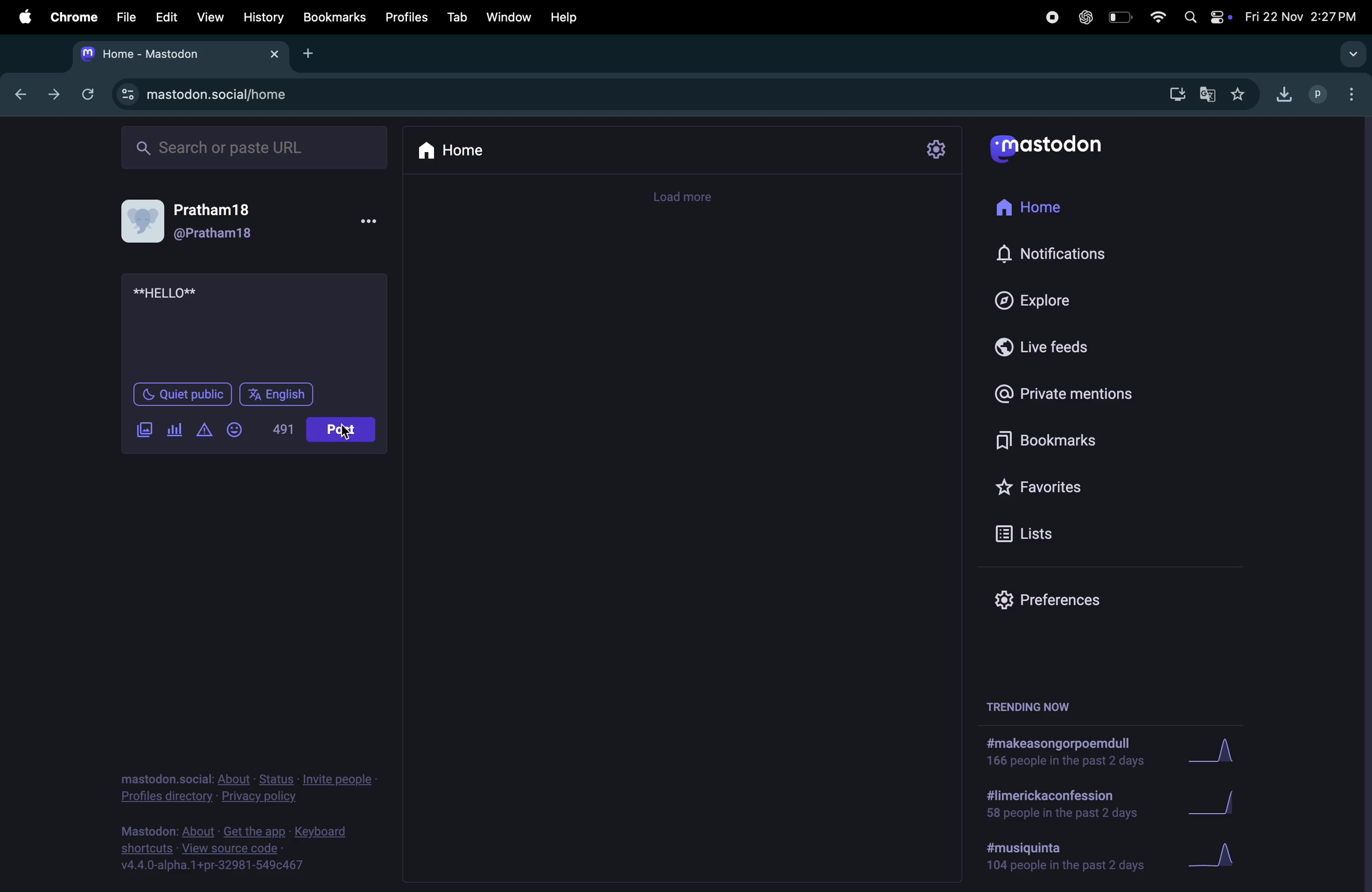 The image size is (1372, 892). Describe the element at coordinates (372, 223) in the screenshot. I see `more ` at that location.